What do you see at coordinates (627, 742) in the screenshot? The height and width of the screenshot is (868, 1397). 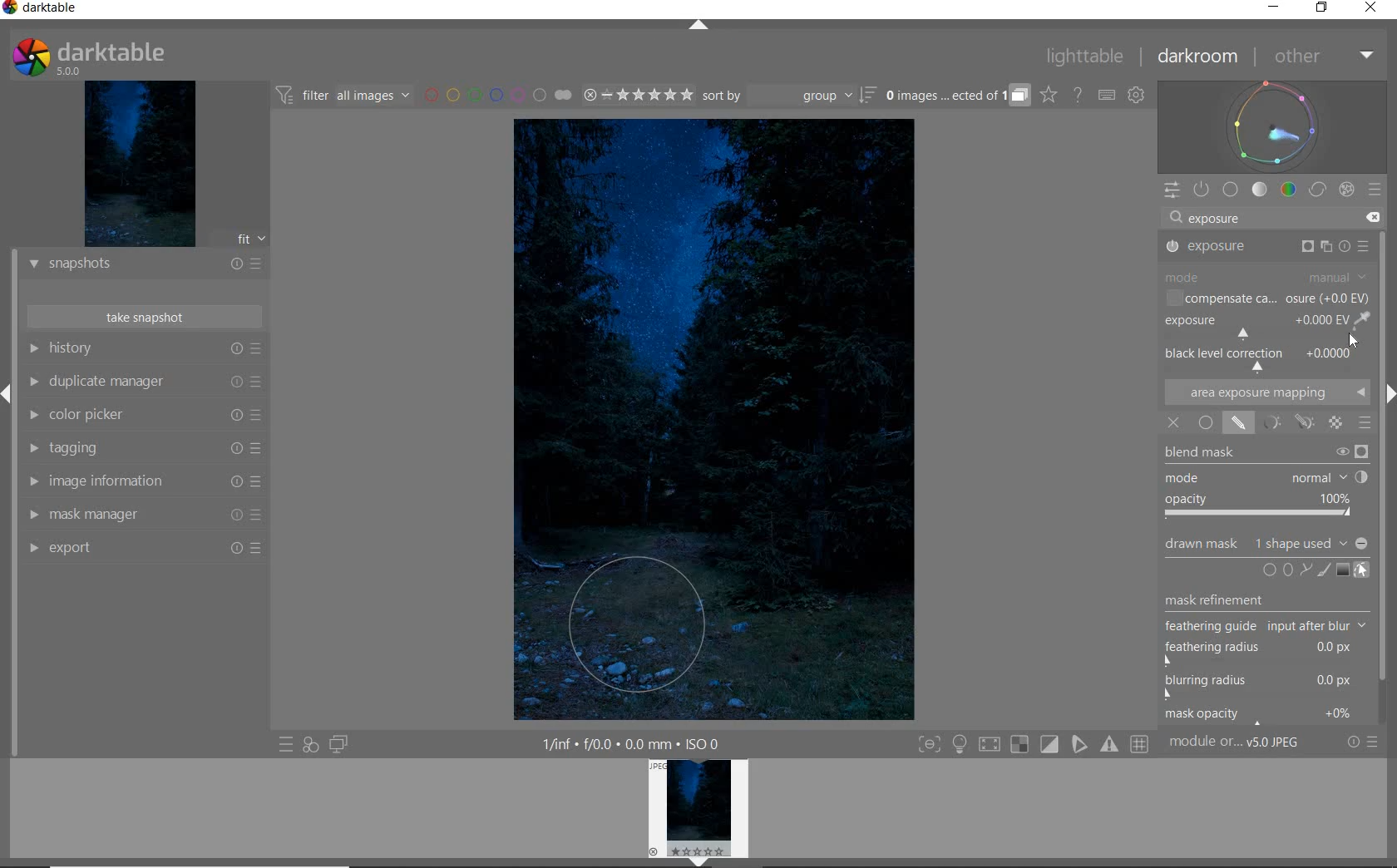 I see `1/inf*f/0.0 mm*ISO 0` at bounding box center [627, 742].